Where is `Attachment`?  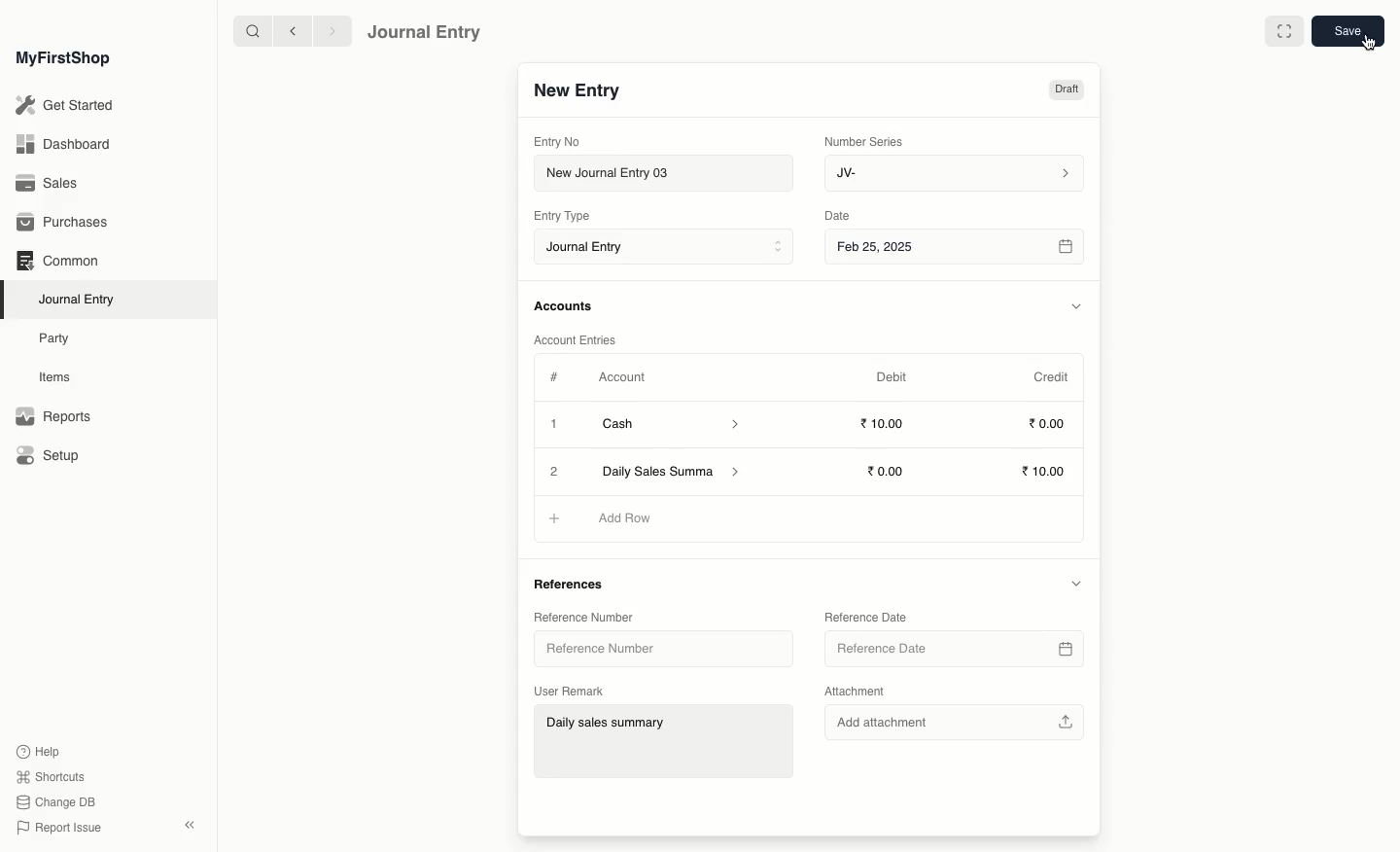 Attachment is located at coordinates (856, 692).